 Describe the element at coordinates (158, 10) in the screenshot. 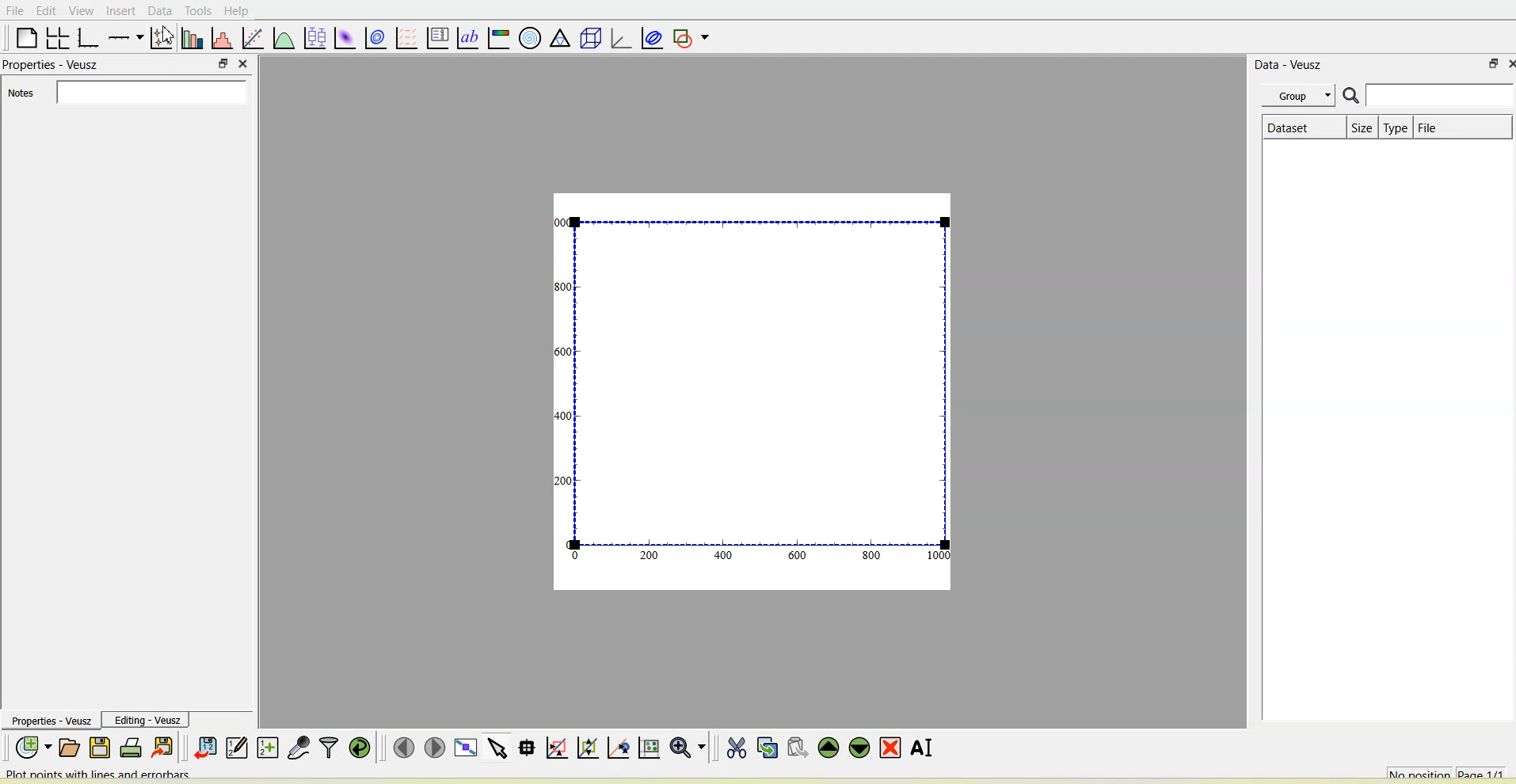

I see `Data` at that location.